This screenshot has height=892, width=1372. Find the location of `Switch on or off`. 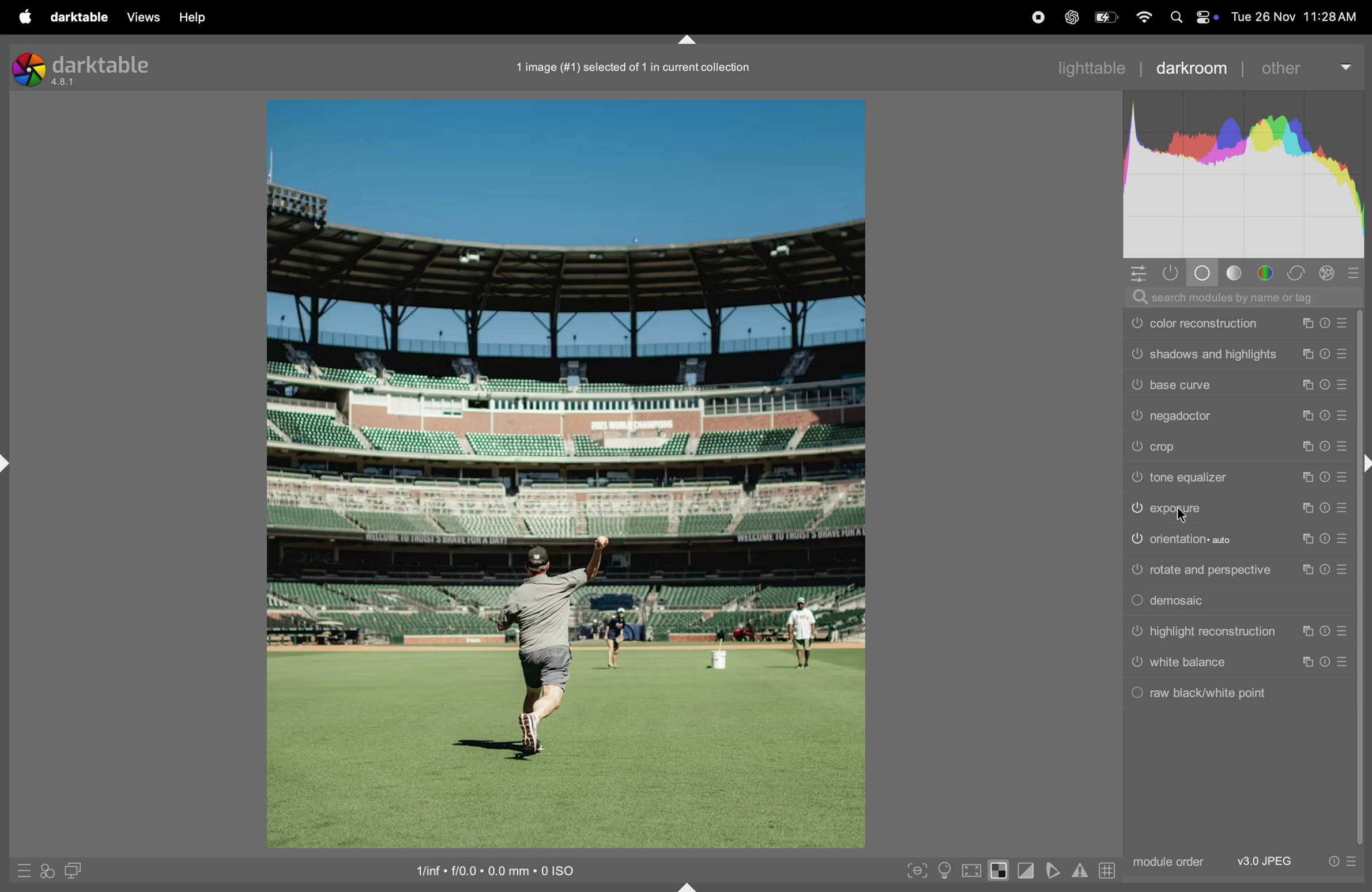

Switch on or off is located at coordinates (1136, 324).